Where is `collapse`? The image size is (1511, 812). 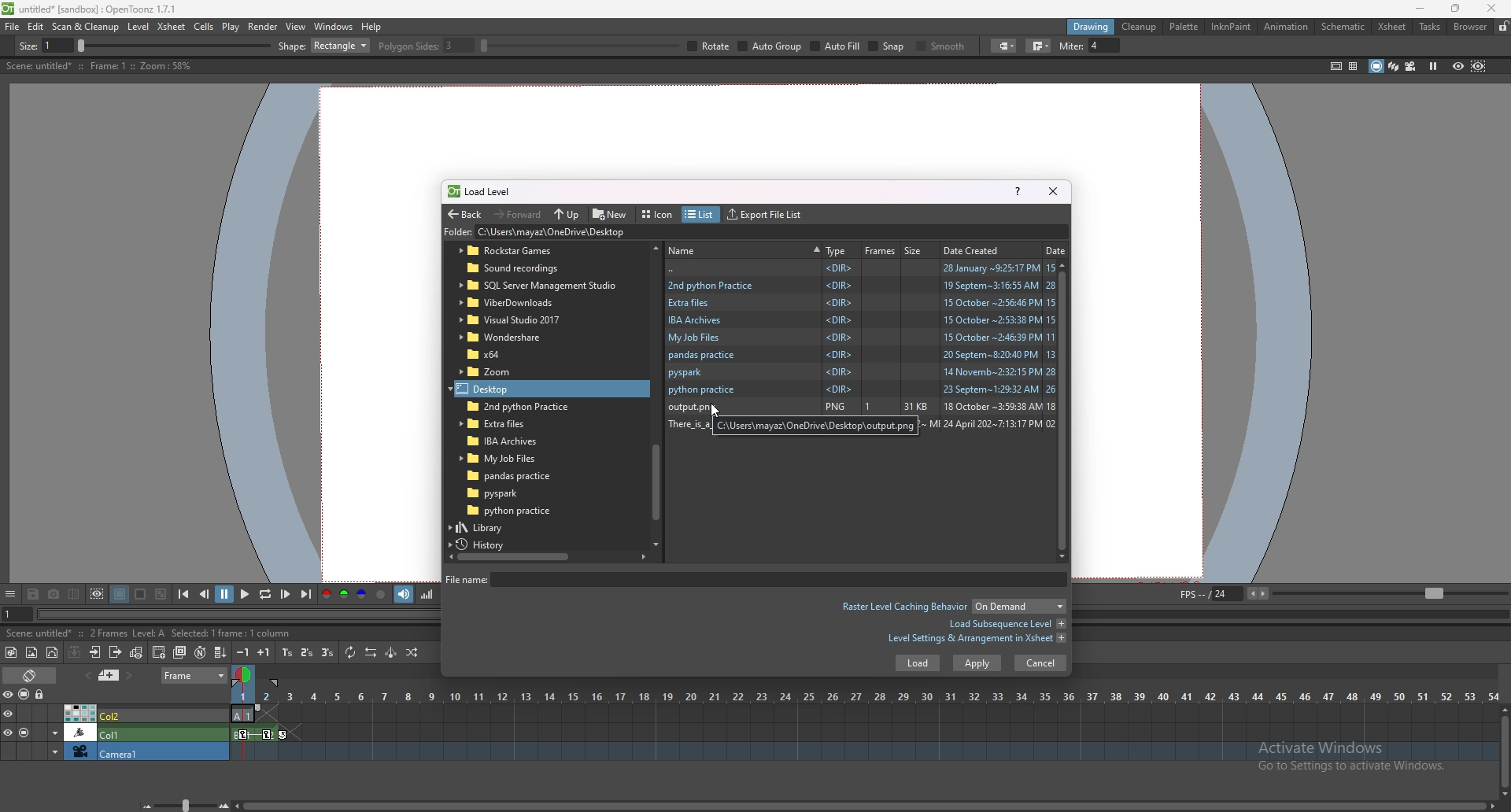 collapse is located at coordinates (74, 651).